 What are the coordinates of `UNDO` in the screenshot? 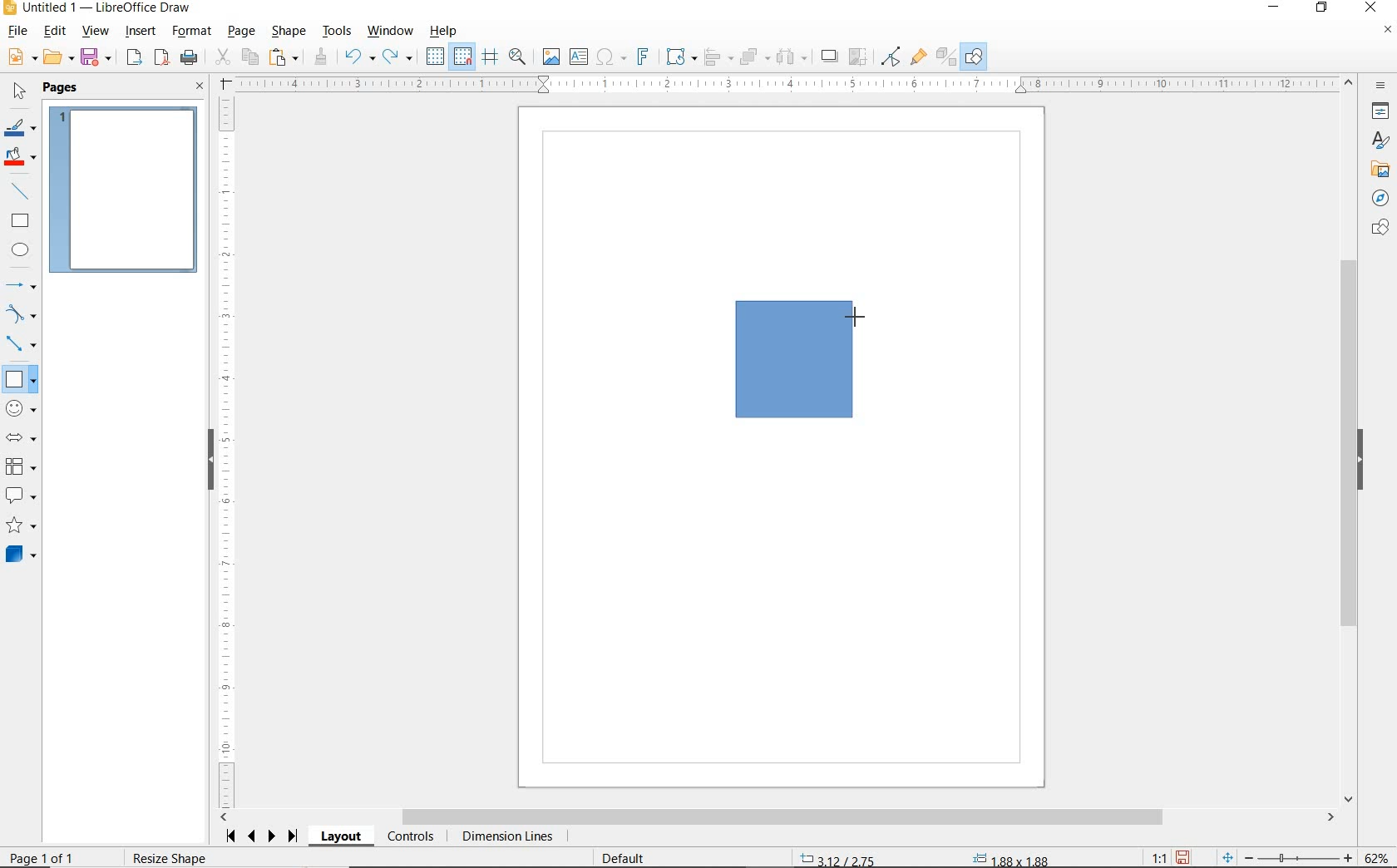 It's located at (360, 58).